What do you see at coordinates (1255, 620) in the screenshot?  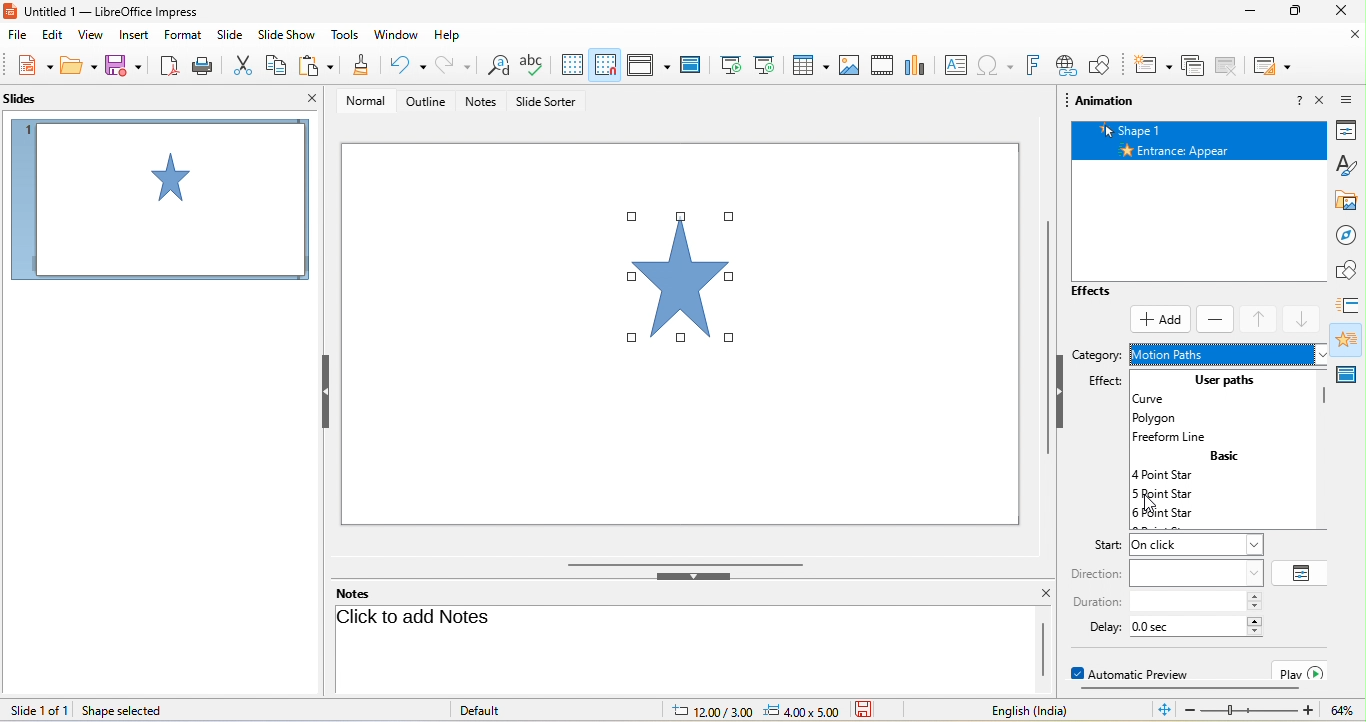 I see `increase delay` at bounding box center [1255, 620].